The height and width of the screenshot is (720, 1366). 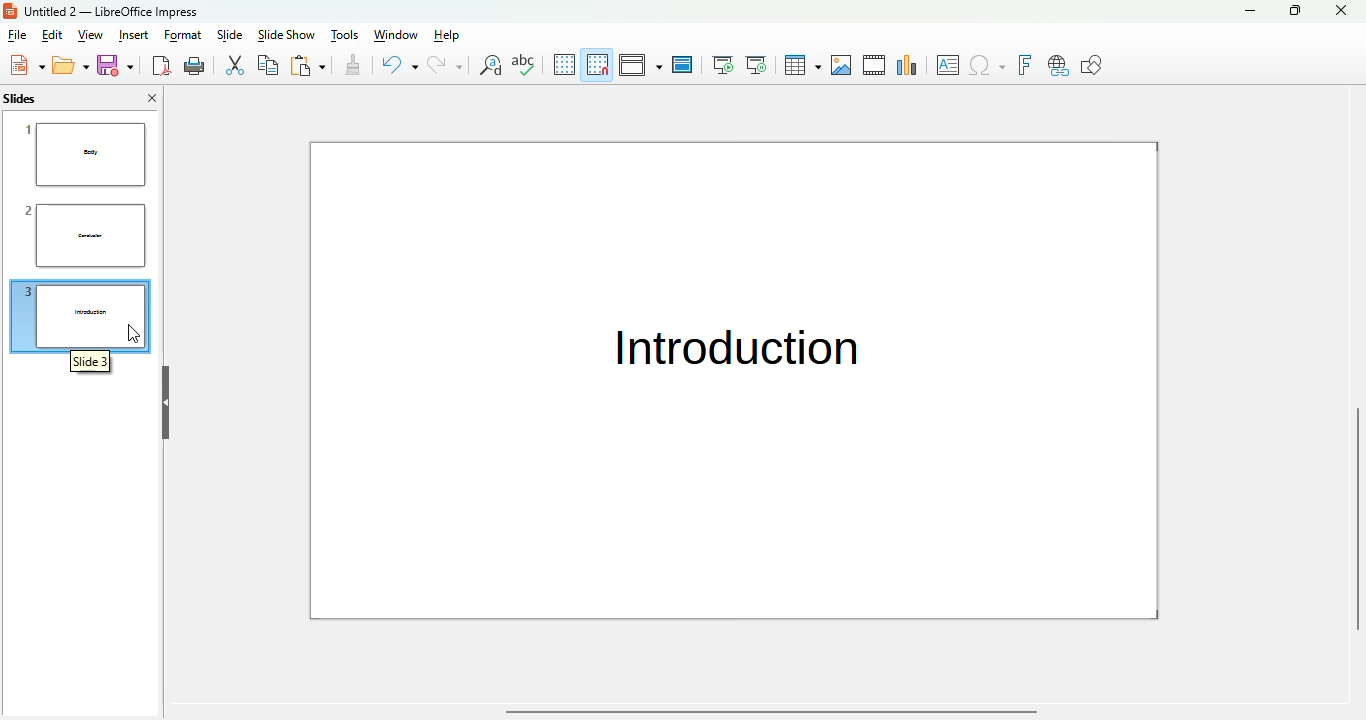 I want to click on slides, so click(x=19, y=99).